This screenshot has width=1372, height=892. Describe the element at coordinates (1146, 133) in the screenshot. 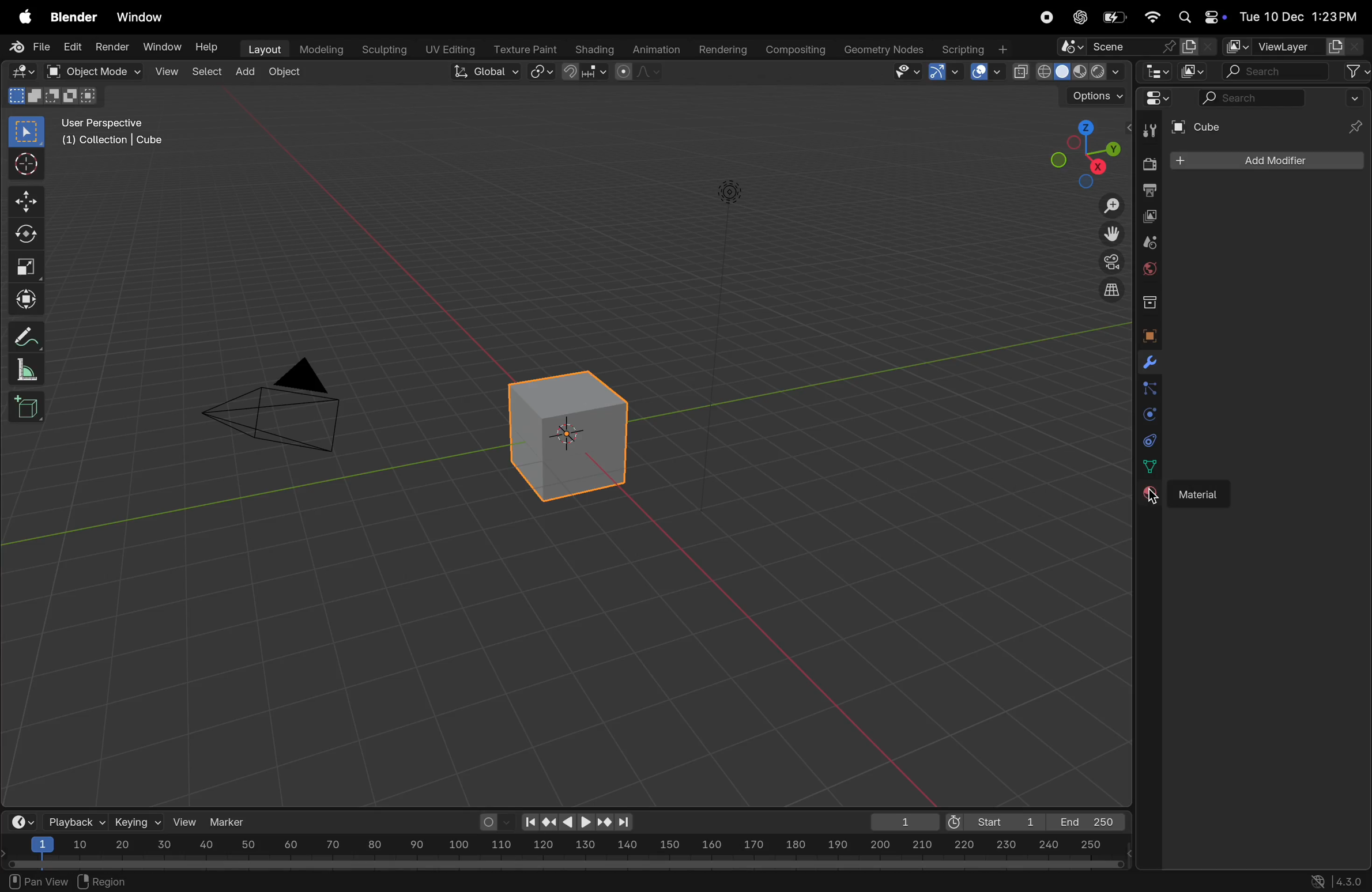

I see `tool` at that location.